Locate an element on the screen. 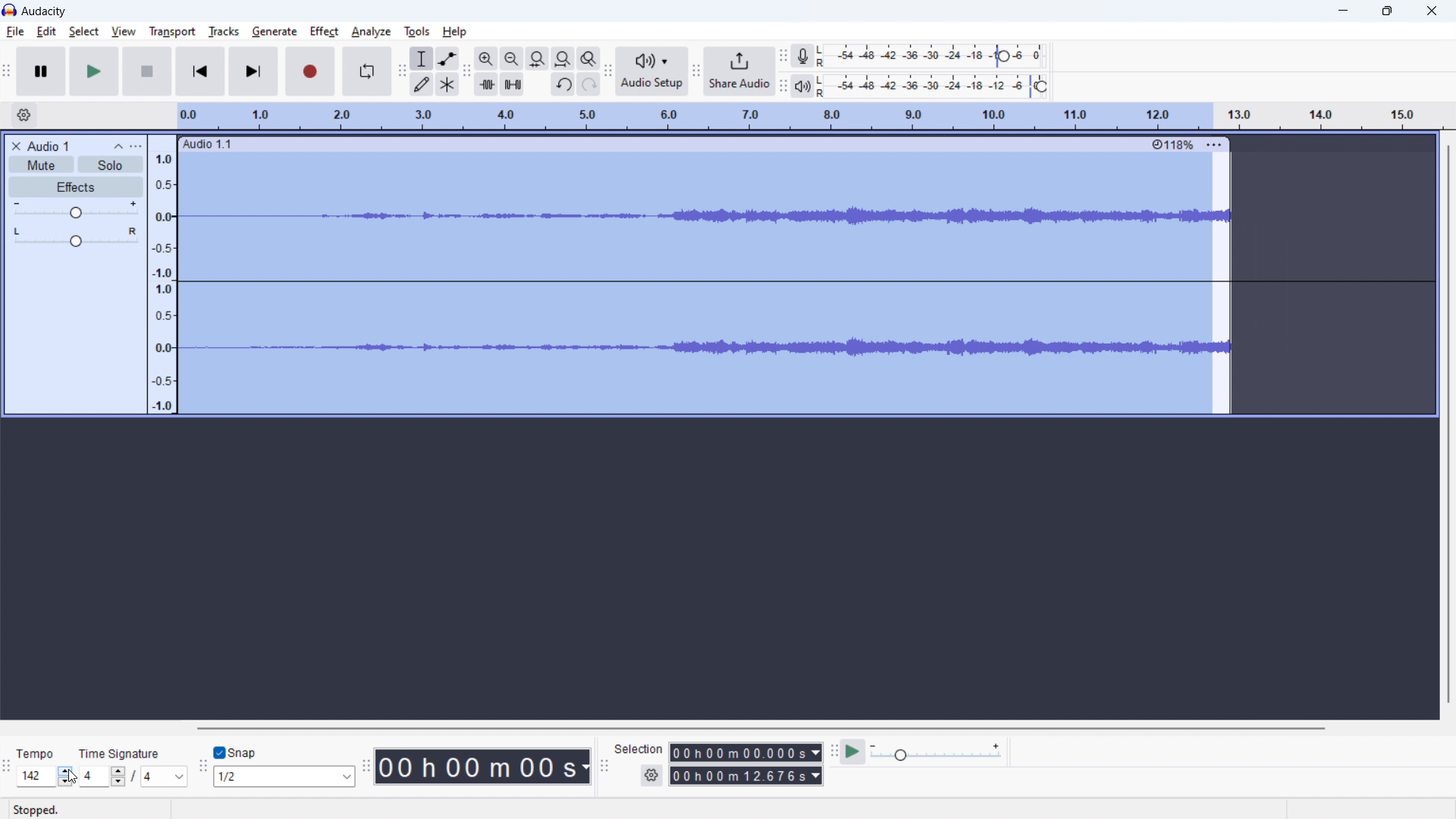 This screenshot has height=819, width=1456. cursor is located at coordinates (70, 777).